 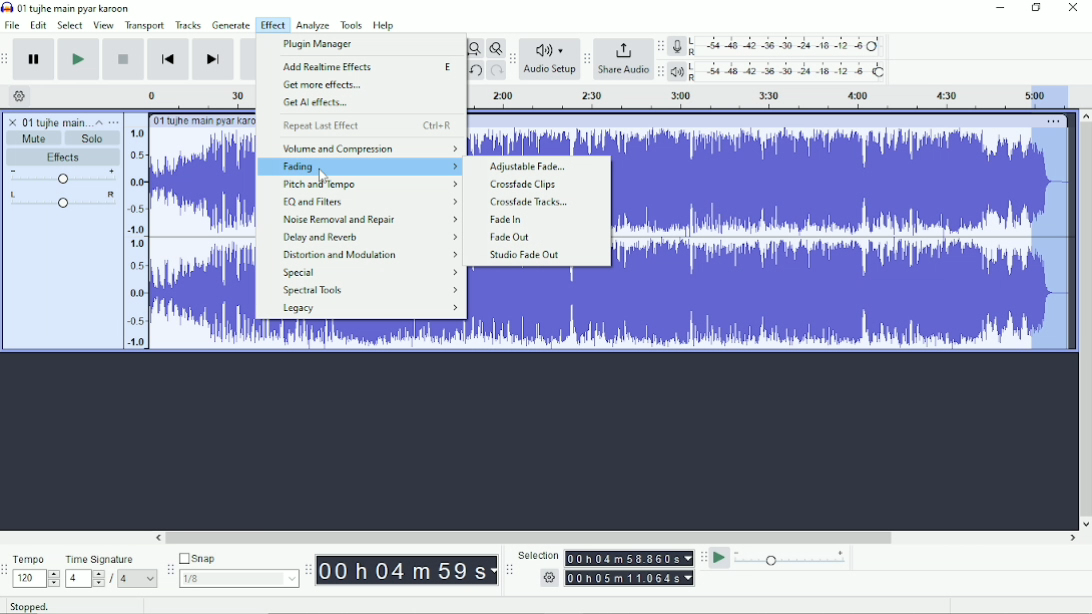 What do you see at coordinates (326, 85) in the screenshot?
I see `Get more effects` at bounding box center [326, 85].